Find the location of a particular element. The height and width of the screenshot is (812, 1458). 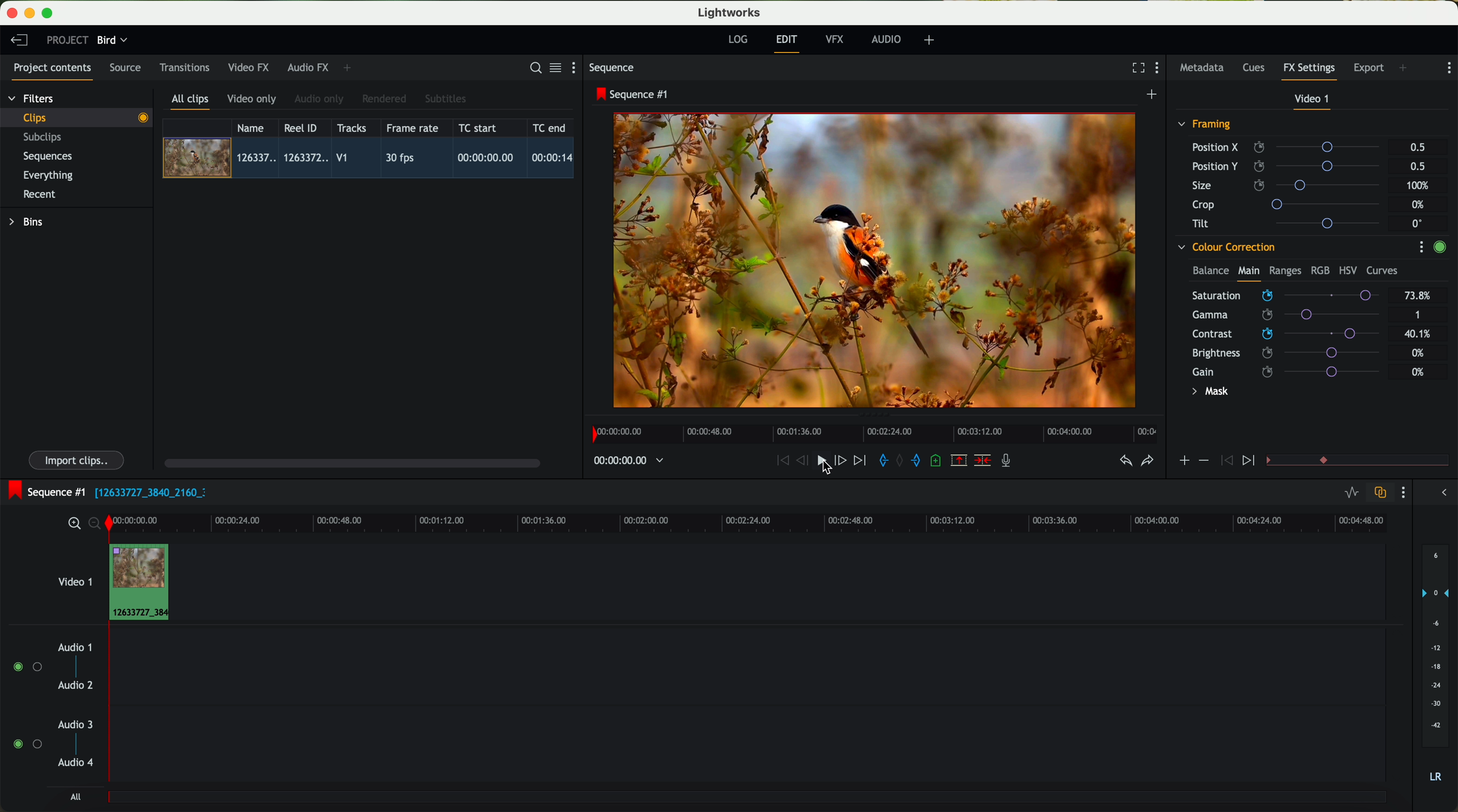

main is located at coordinates (1249, 273).